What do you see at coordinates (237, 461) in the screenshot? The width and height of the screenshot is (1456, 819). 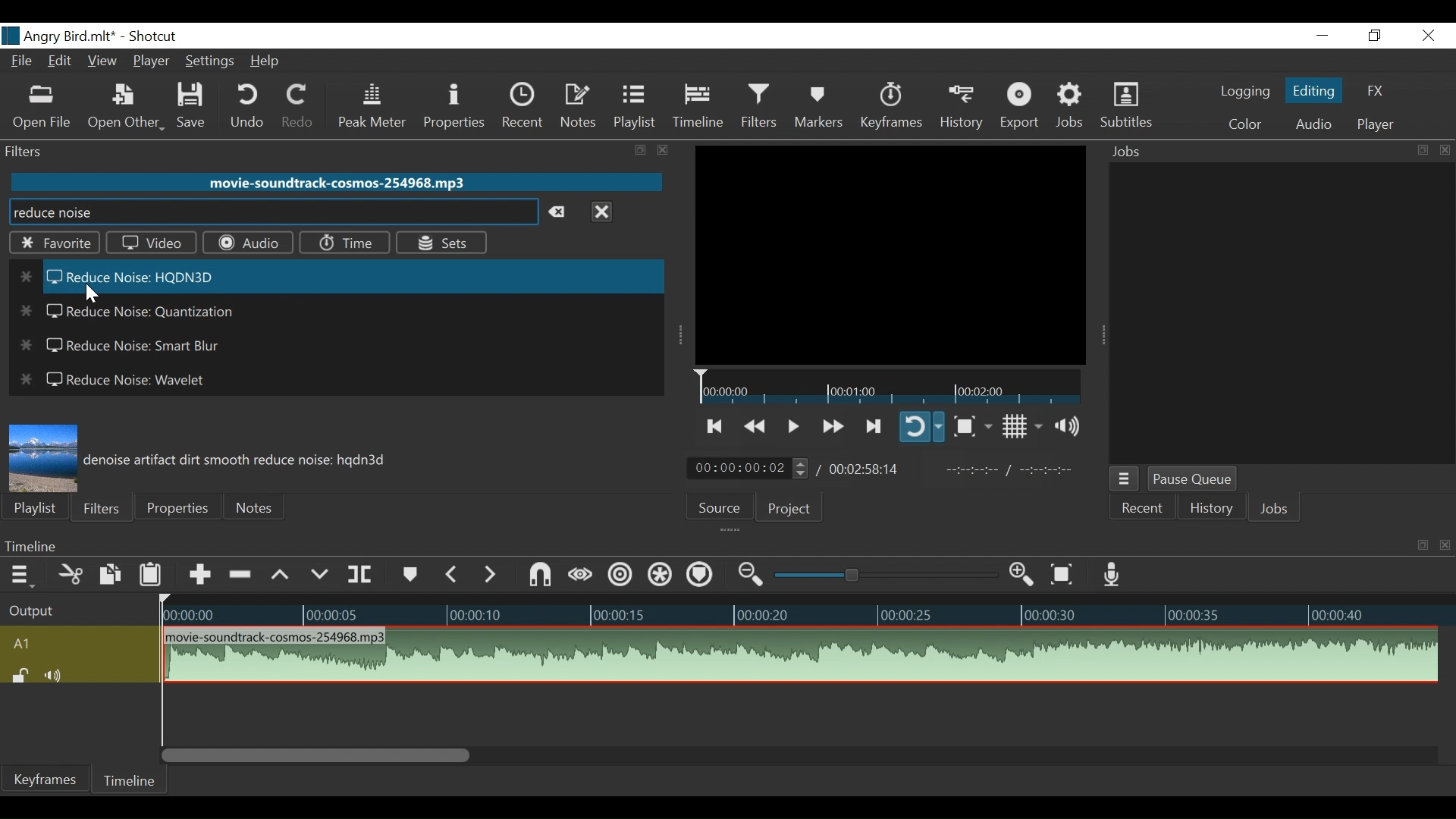 I see `denoise artifact dirt smooth reduce noise: hqdn3d` at bounding box center [237, 461].